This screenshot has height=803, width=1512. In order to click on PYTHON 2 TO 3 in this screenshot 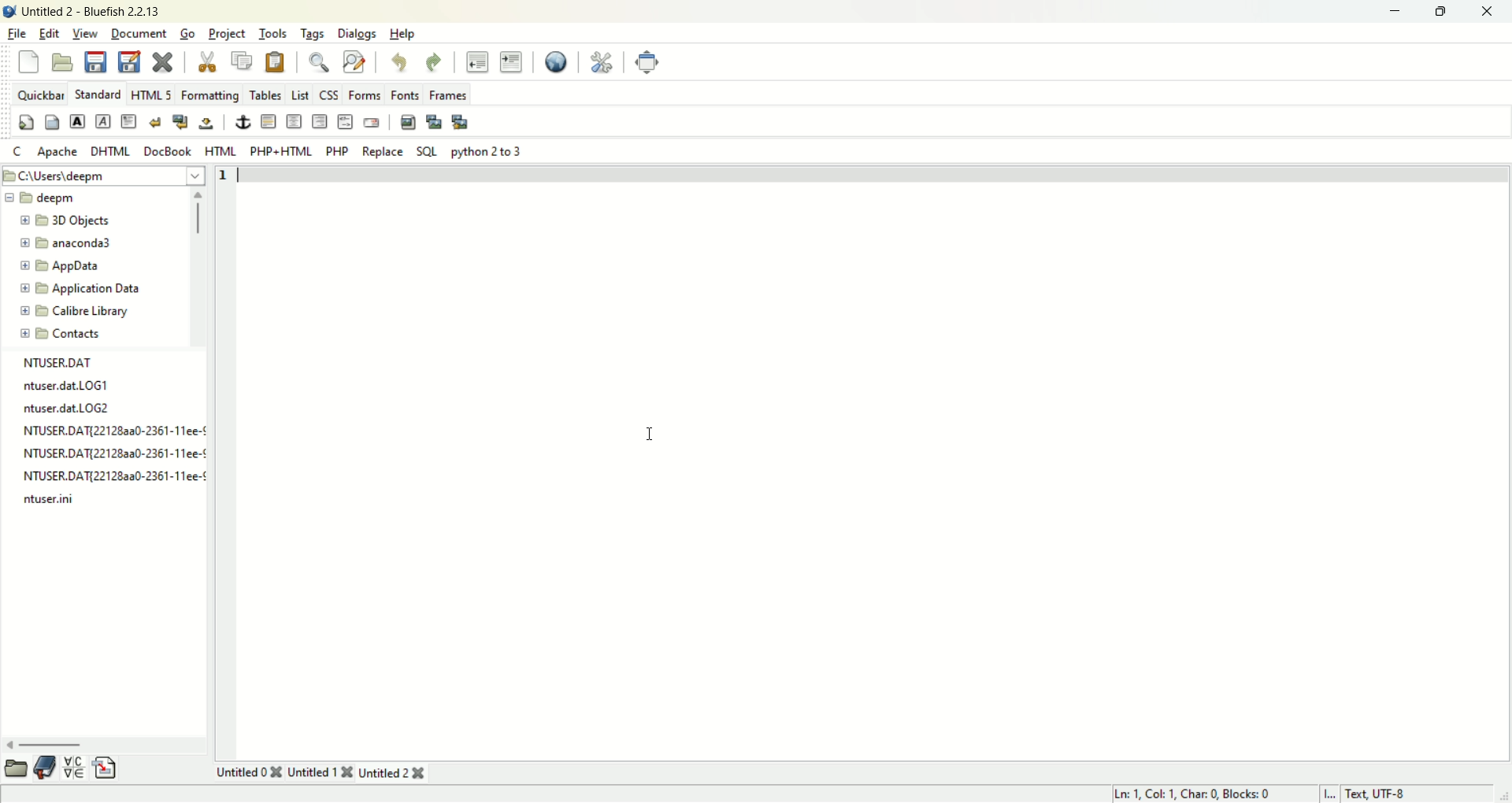, I will do `click(485, 151)`.